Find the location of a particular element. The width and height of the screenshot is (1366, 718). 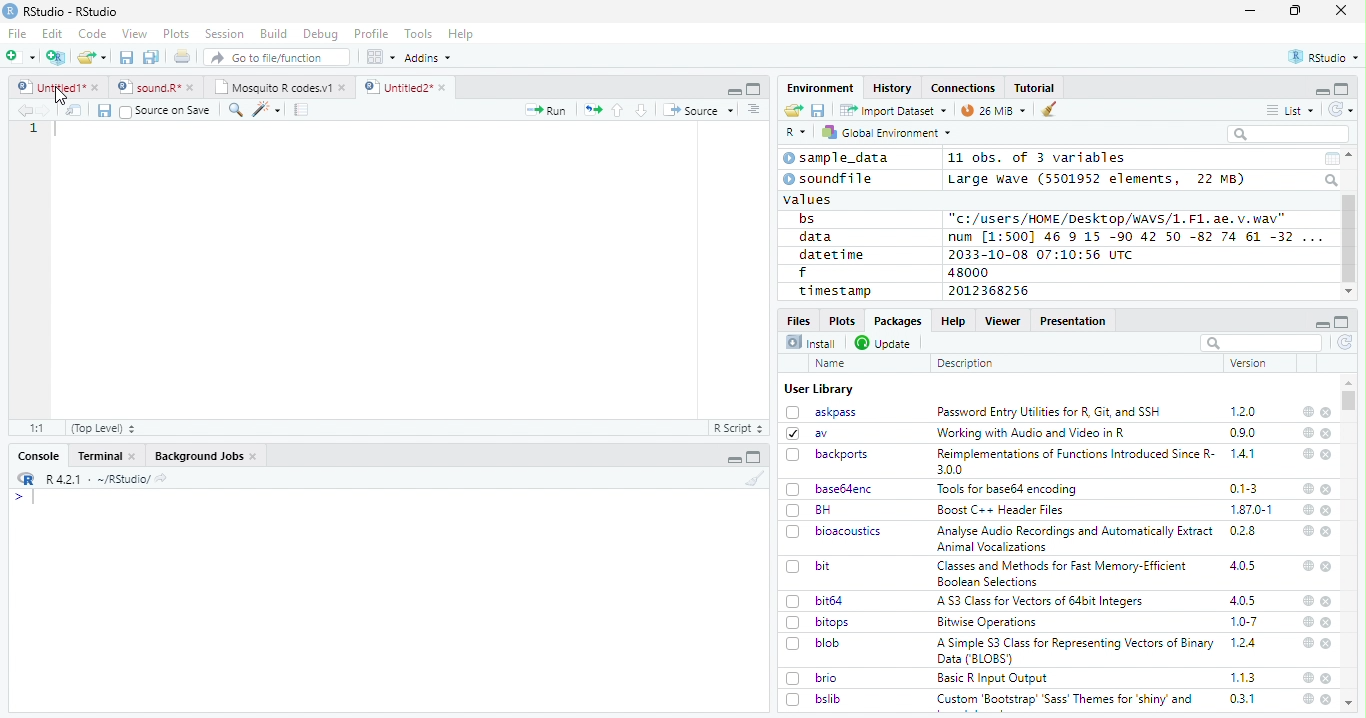

RStudio - RStudio is located at coordinates (71, 11).